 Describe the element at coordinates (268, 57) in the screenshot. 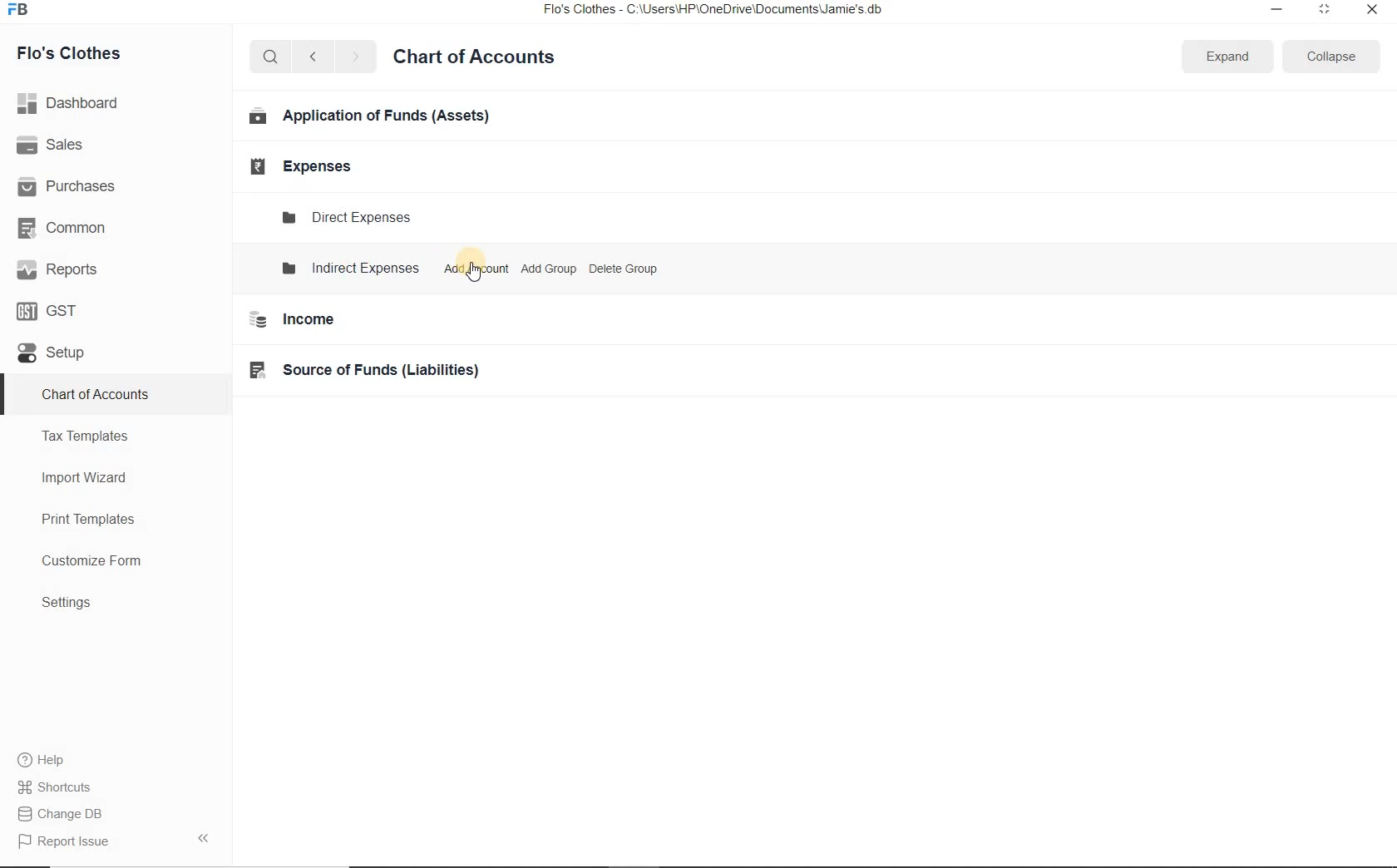

I see `search` at that location.